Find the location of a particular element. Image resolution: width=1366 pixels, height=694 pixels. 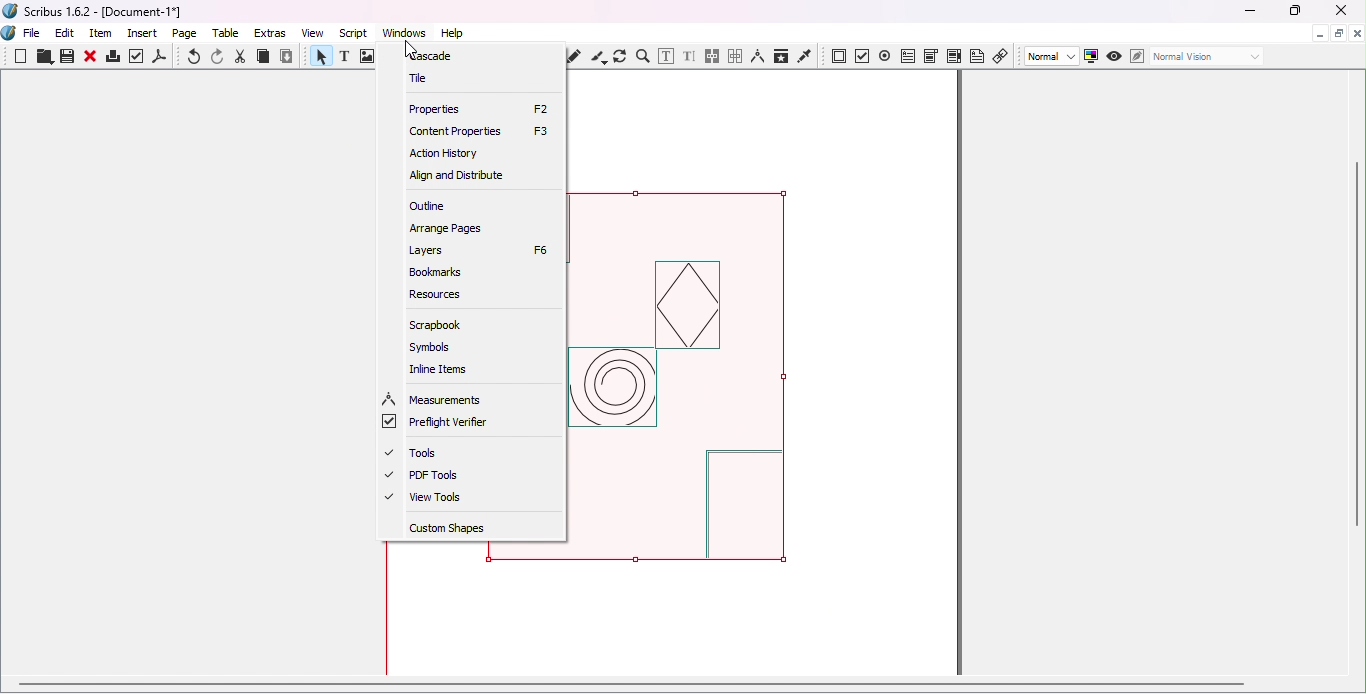

Table is located at coordinates (229, 34).